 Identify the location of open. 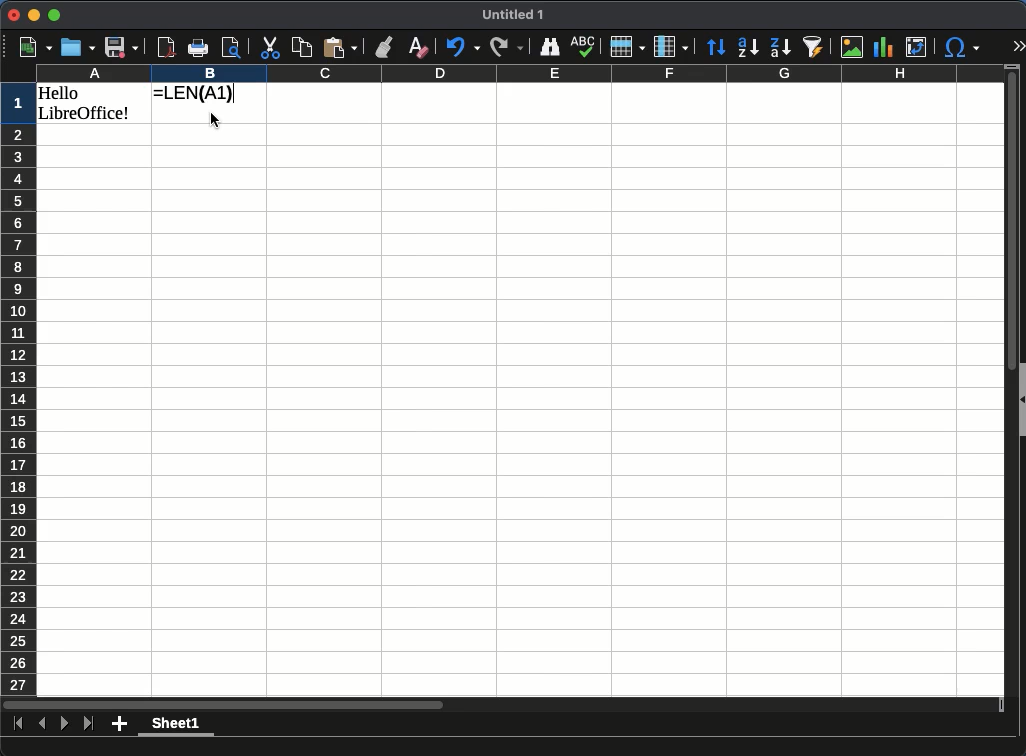
(75, 46).